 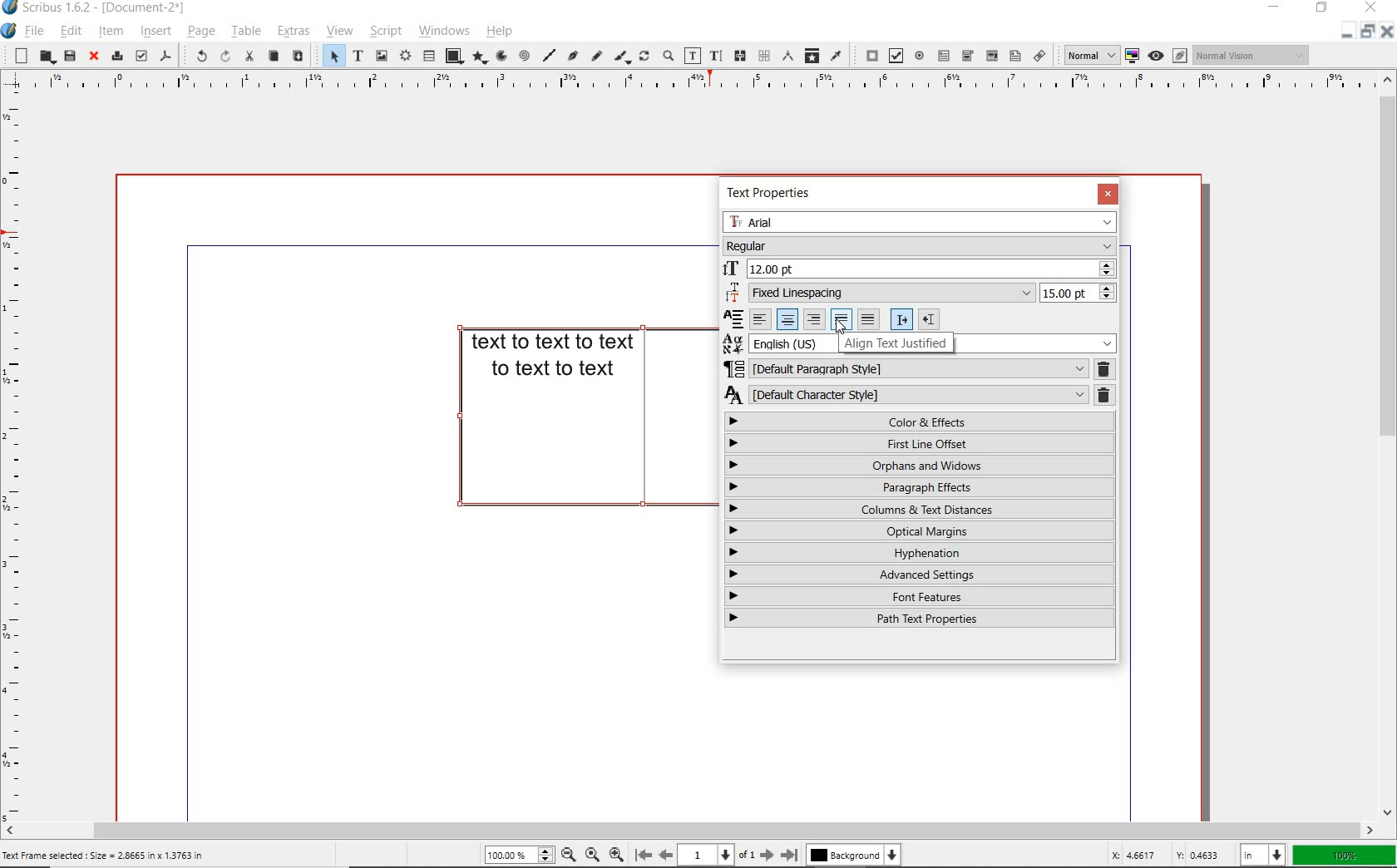 What do you see at coordinates (17, 456) in the screenshot?
I see `ruler` at bounding box center [17, 456].